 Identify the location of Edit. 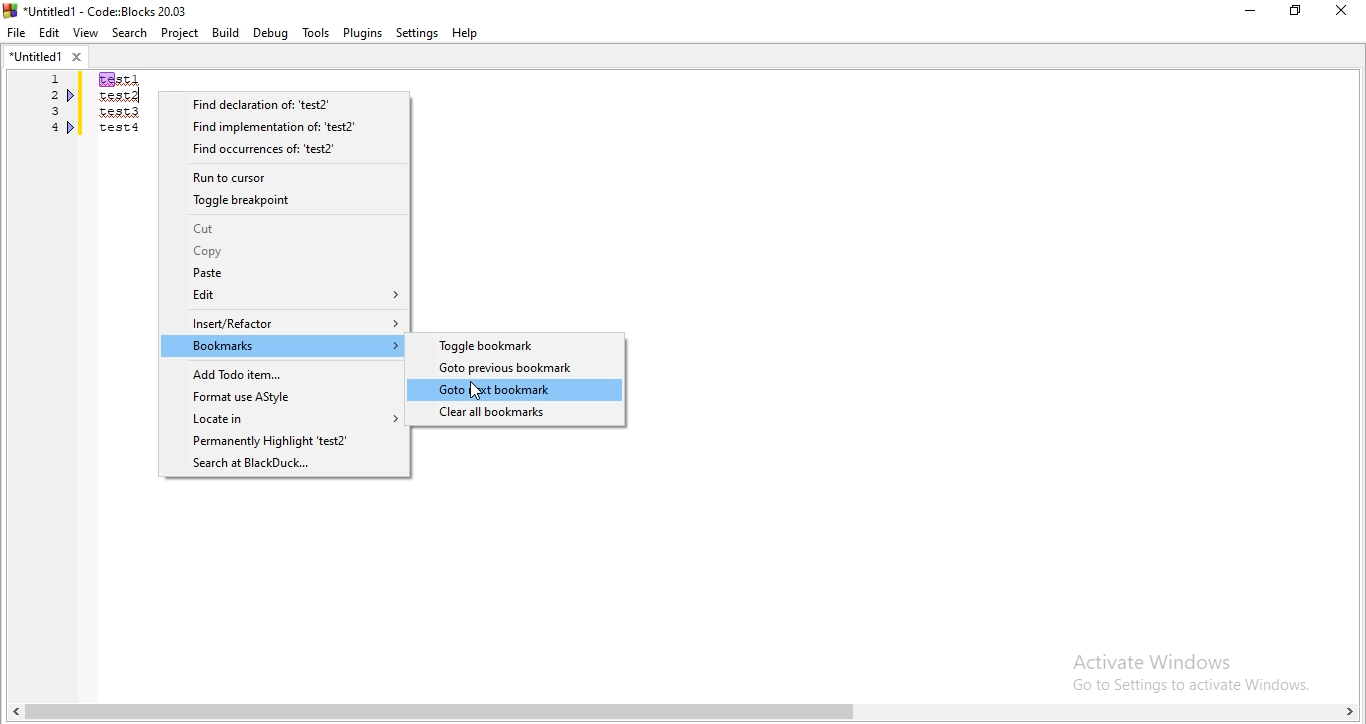
(285, 295).